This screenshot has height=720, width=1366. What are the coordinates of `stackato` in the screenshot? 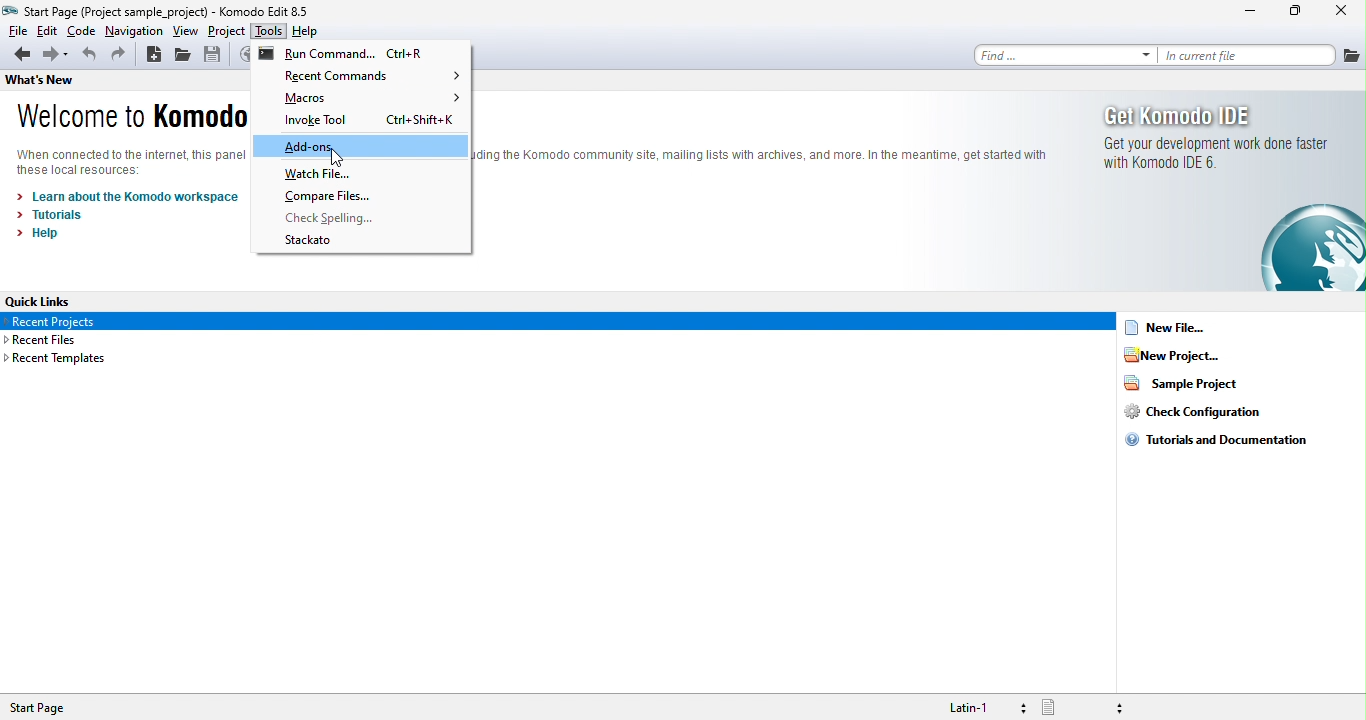 It's located at (317, 243).